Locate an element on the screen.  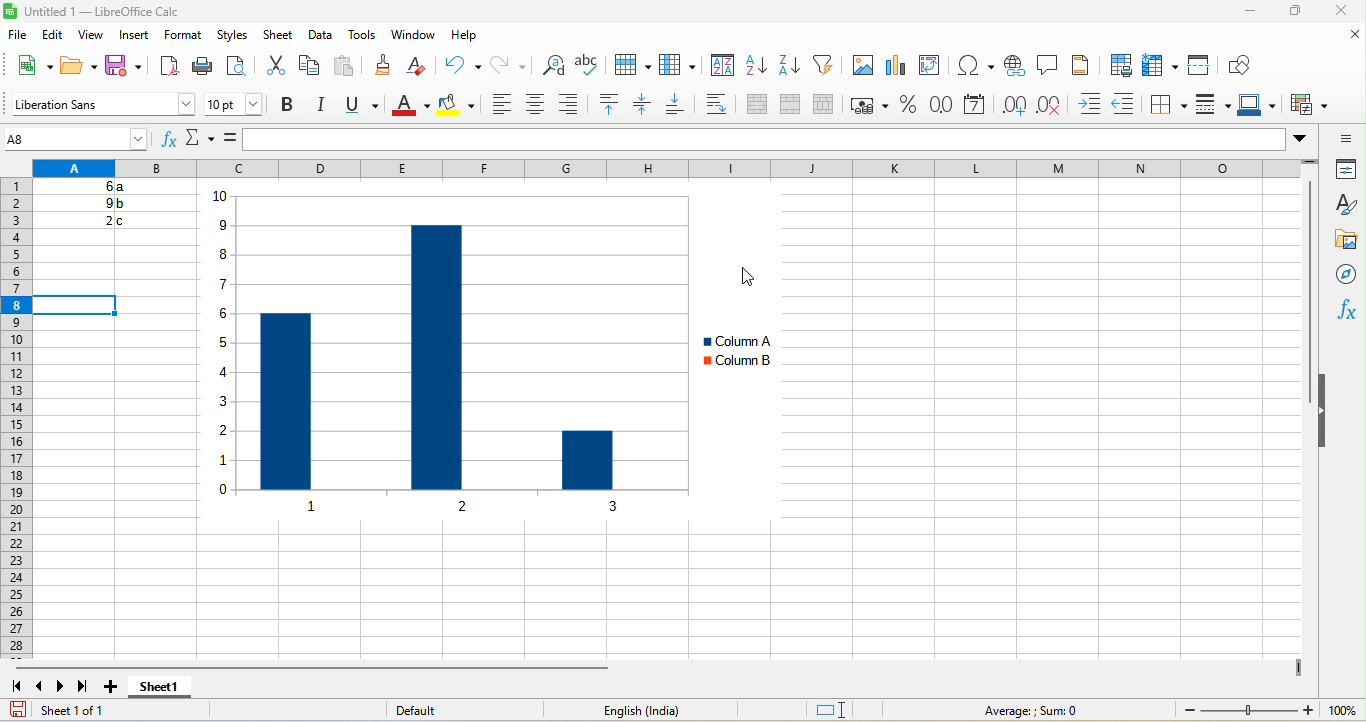
sort descending is located at coordinates (794, 68).